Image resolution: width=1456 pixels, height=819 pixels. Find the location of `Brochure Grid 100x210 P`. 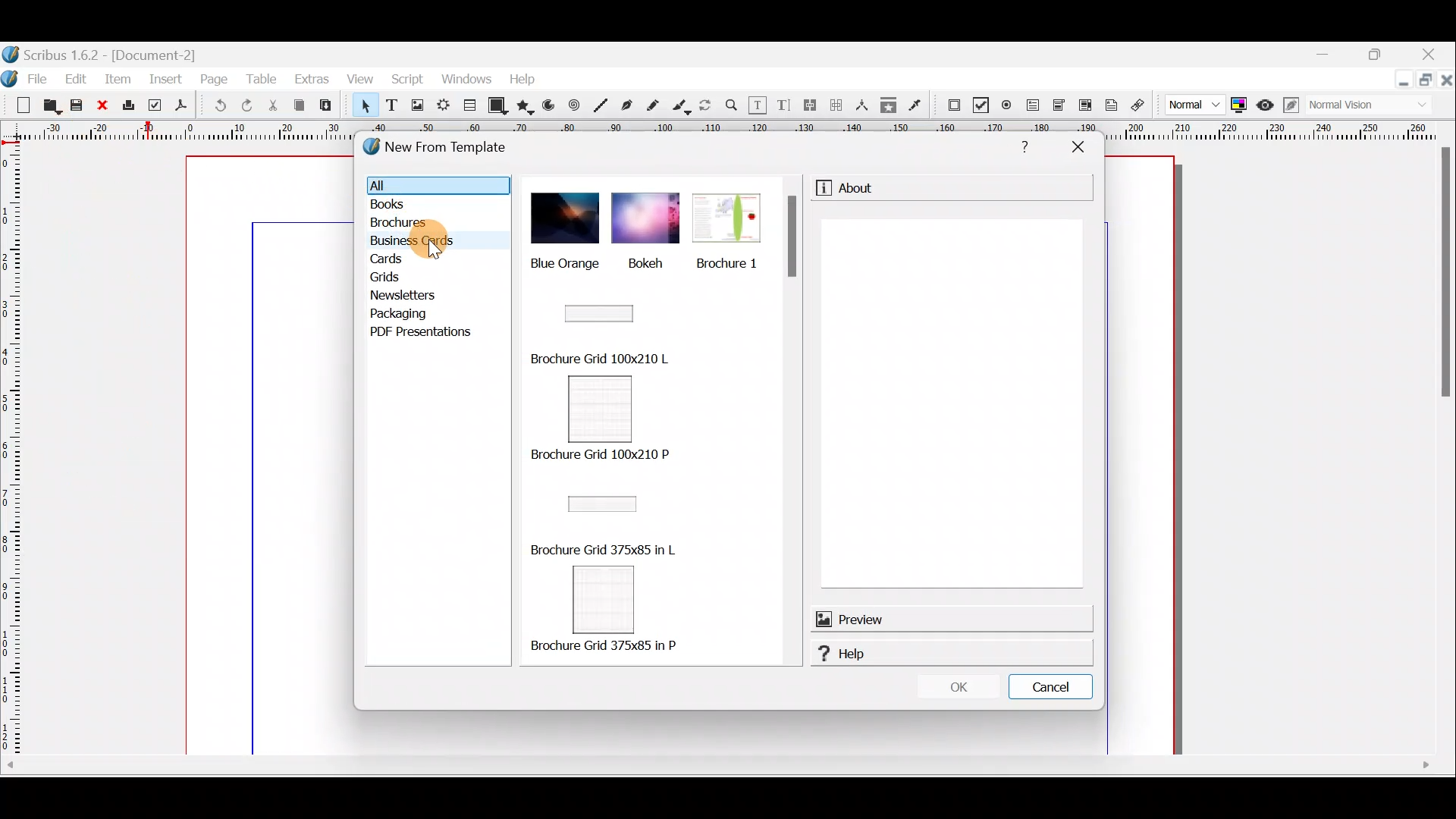

Brochure Grid 100x210 P is located at coordinates (592, 454).